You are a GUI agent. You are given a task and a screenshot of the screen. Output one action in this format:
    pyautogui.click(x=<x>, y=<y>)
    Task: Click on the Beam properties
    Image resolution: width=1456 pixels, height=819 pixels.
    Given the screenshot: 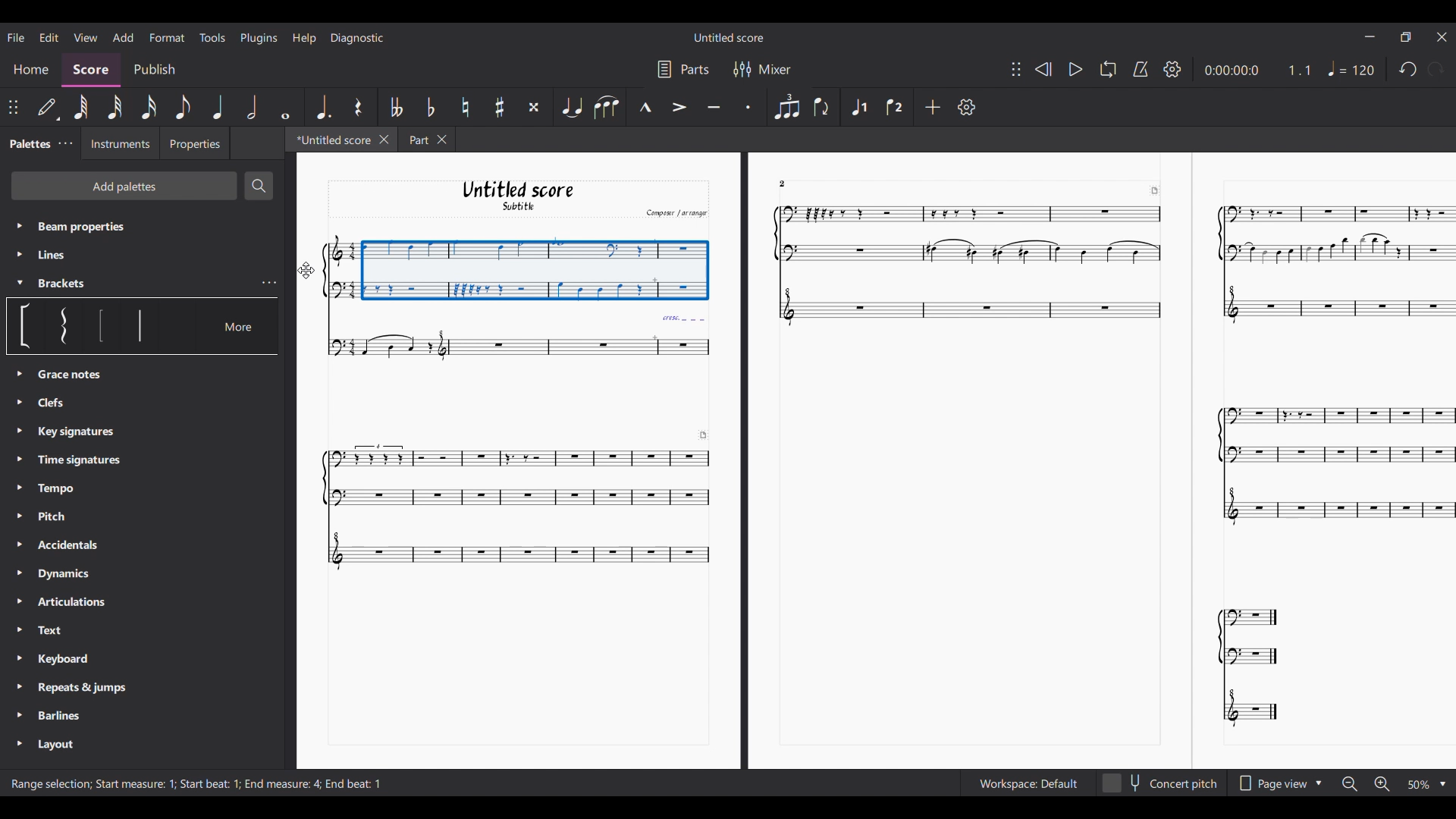 What is the action you would take?
    pyautogui.click(x=118, y=226)
    